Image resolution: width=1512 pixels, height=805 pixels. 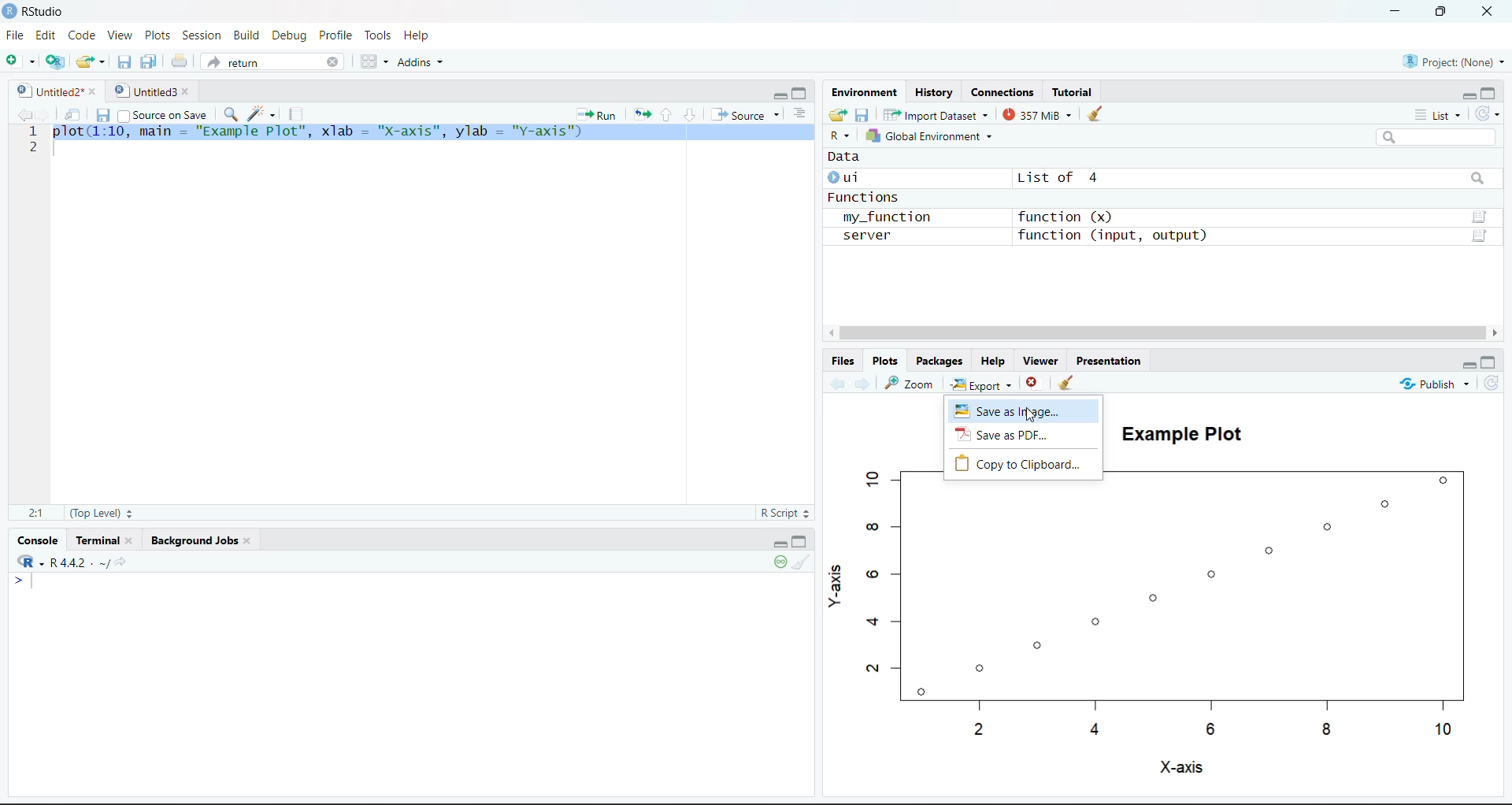 I want to click on Compile Report (Ctrl + Shift + K), so click(x=299, y=113).